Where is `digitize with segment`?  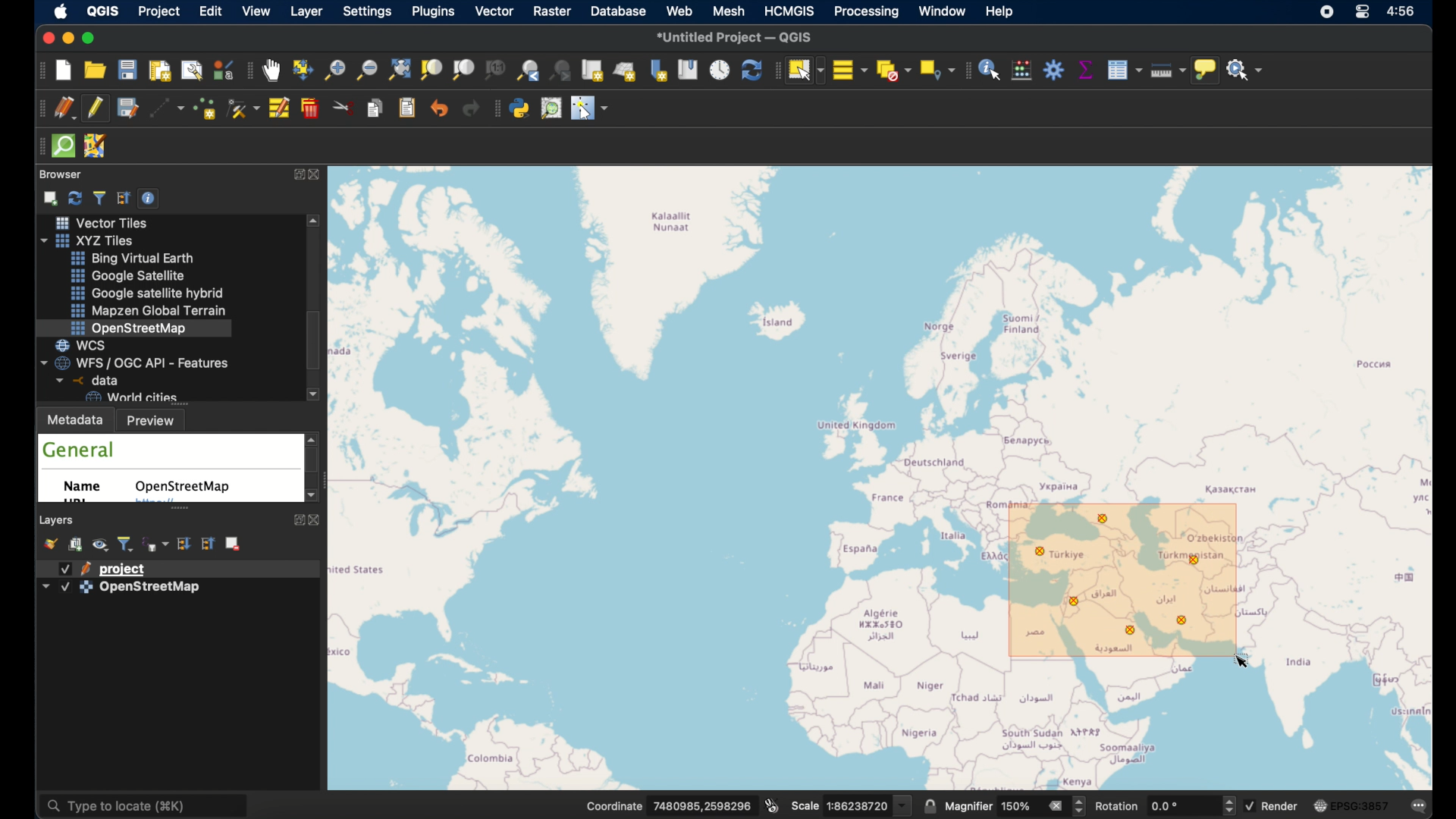
digitize with segment is located at coordinates (169, 110).